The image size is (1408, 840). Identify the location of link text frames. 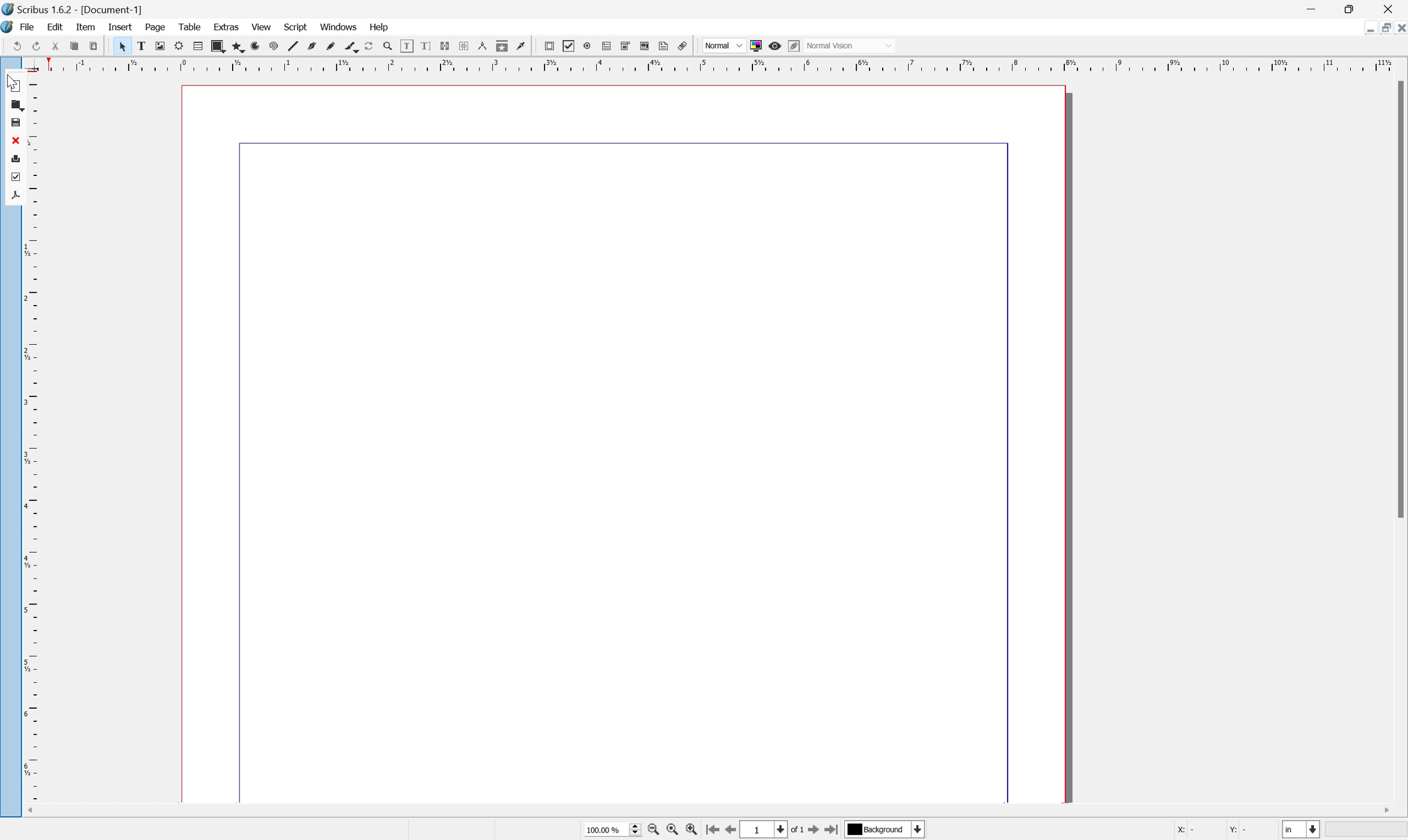
(588, 46).